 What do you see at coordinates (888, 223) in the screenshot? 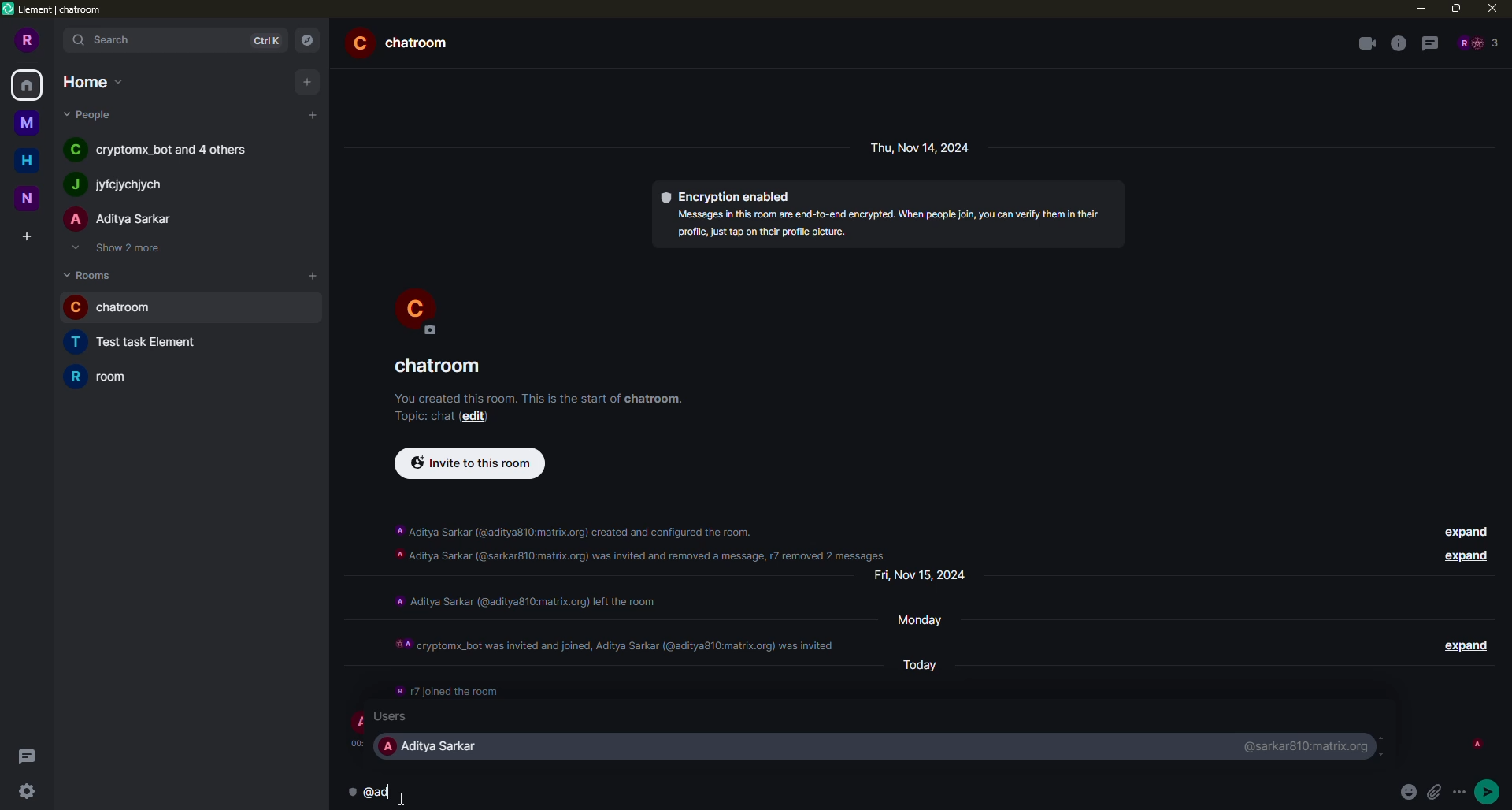
I see `info` at bounding box center [888, 223].